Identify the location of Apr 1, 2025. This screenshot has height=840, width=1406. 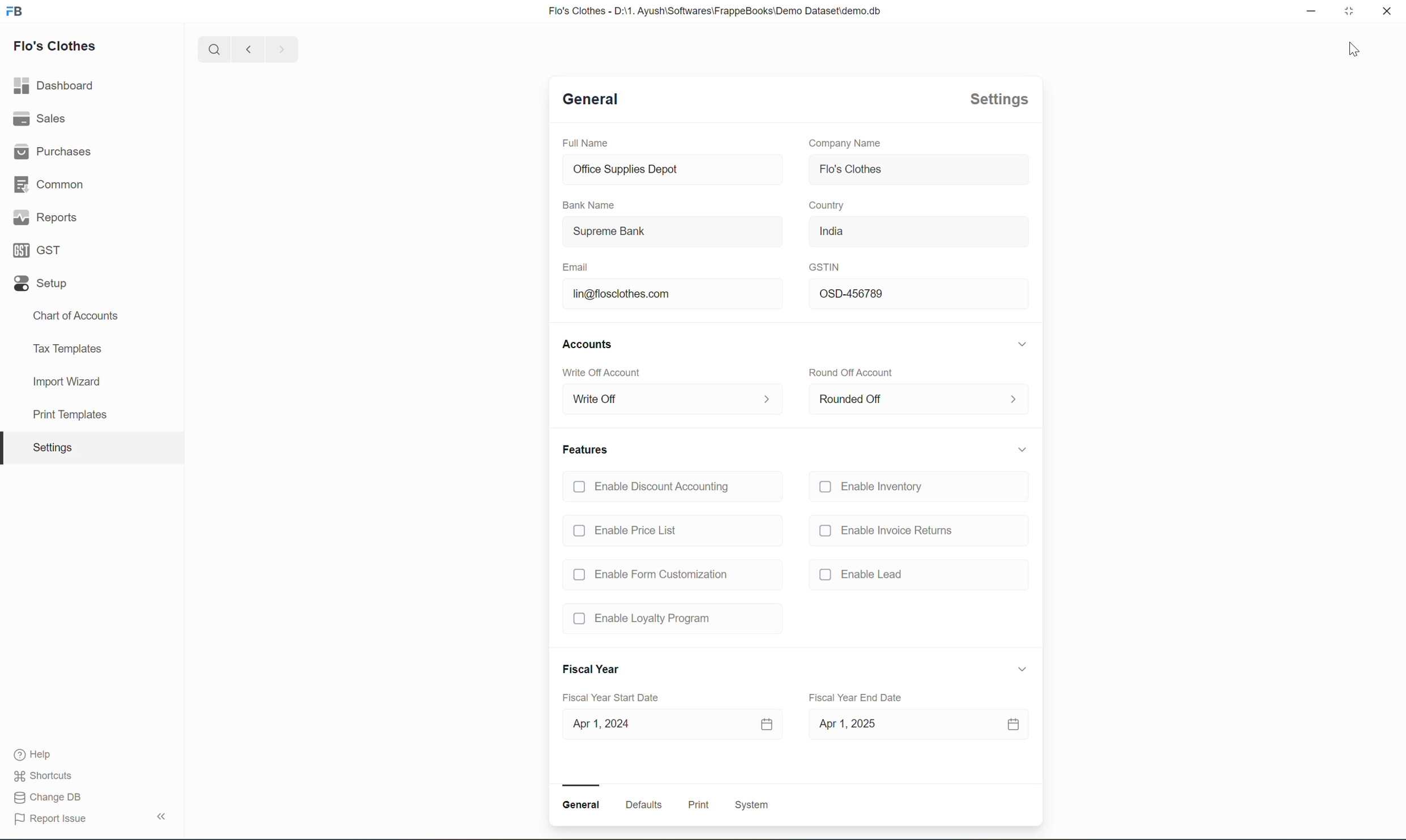
(890, 724).